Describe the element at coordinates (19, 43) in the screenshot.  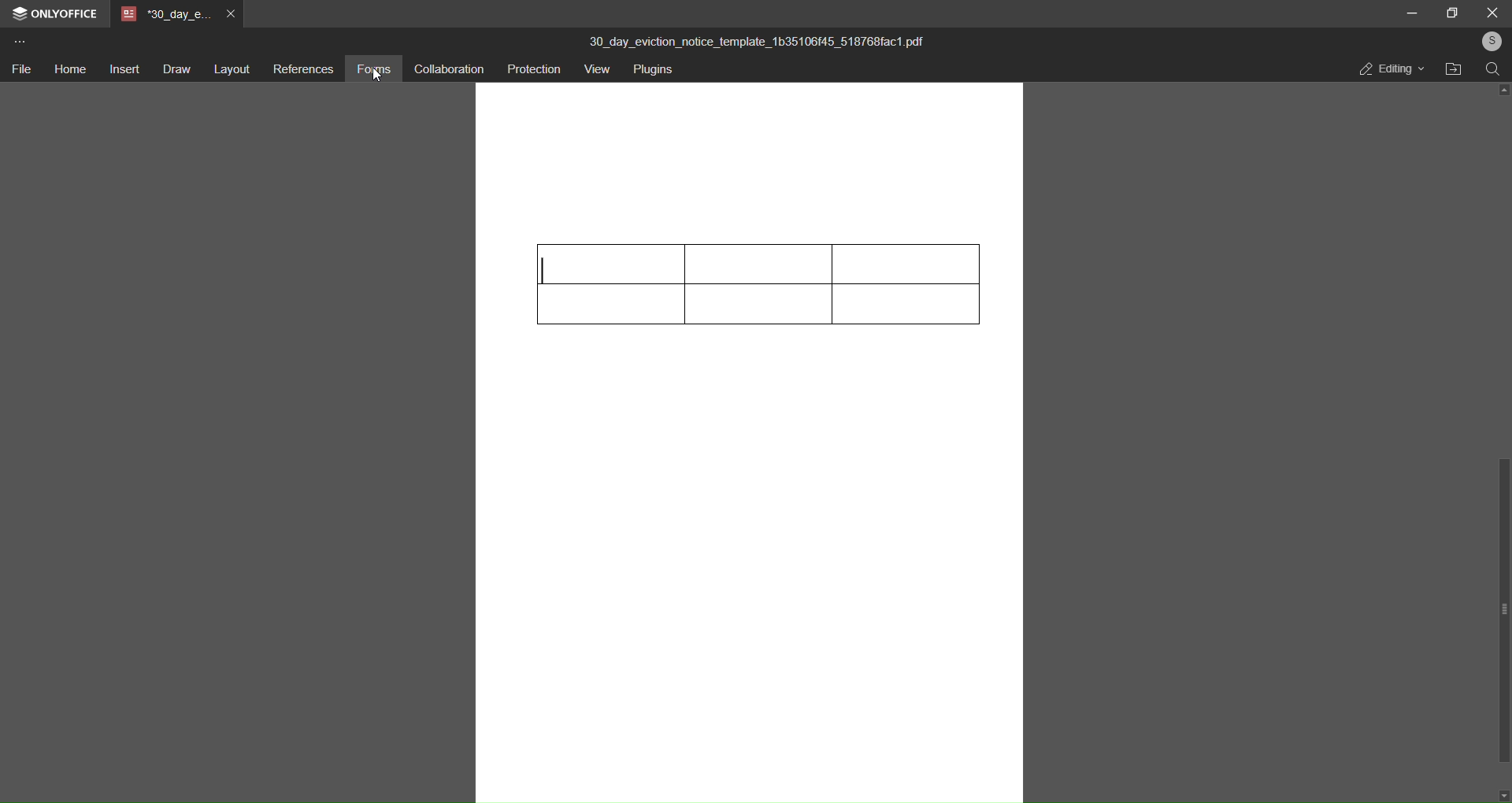
I see `more` at that location.